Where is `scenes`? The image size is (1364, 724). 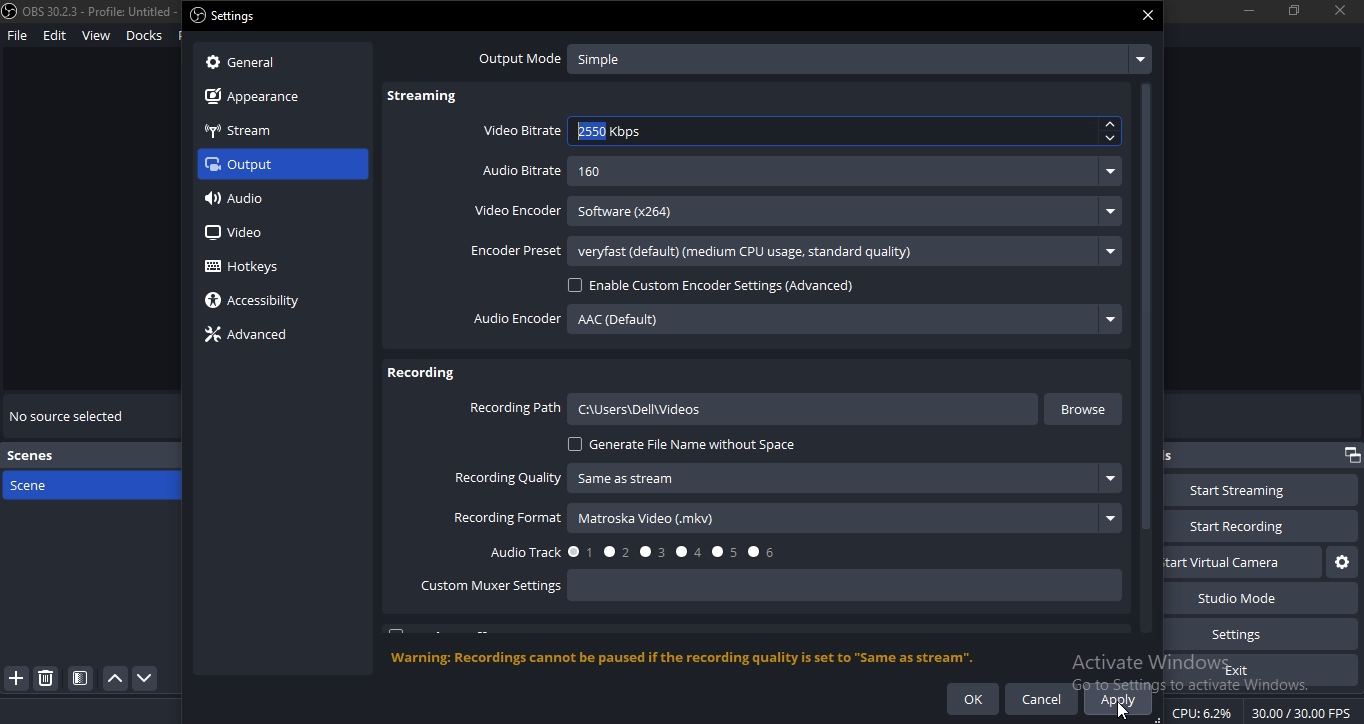
scenes is located at coordinates (38, 457).